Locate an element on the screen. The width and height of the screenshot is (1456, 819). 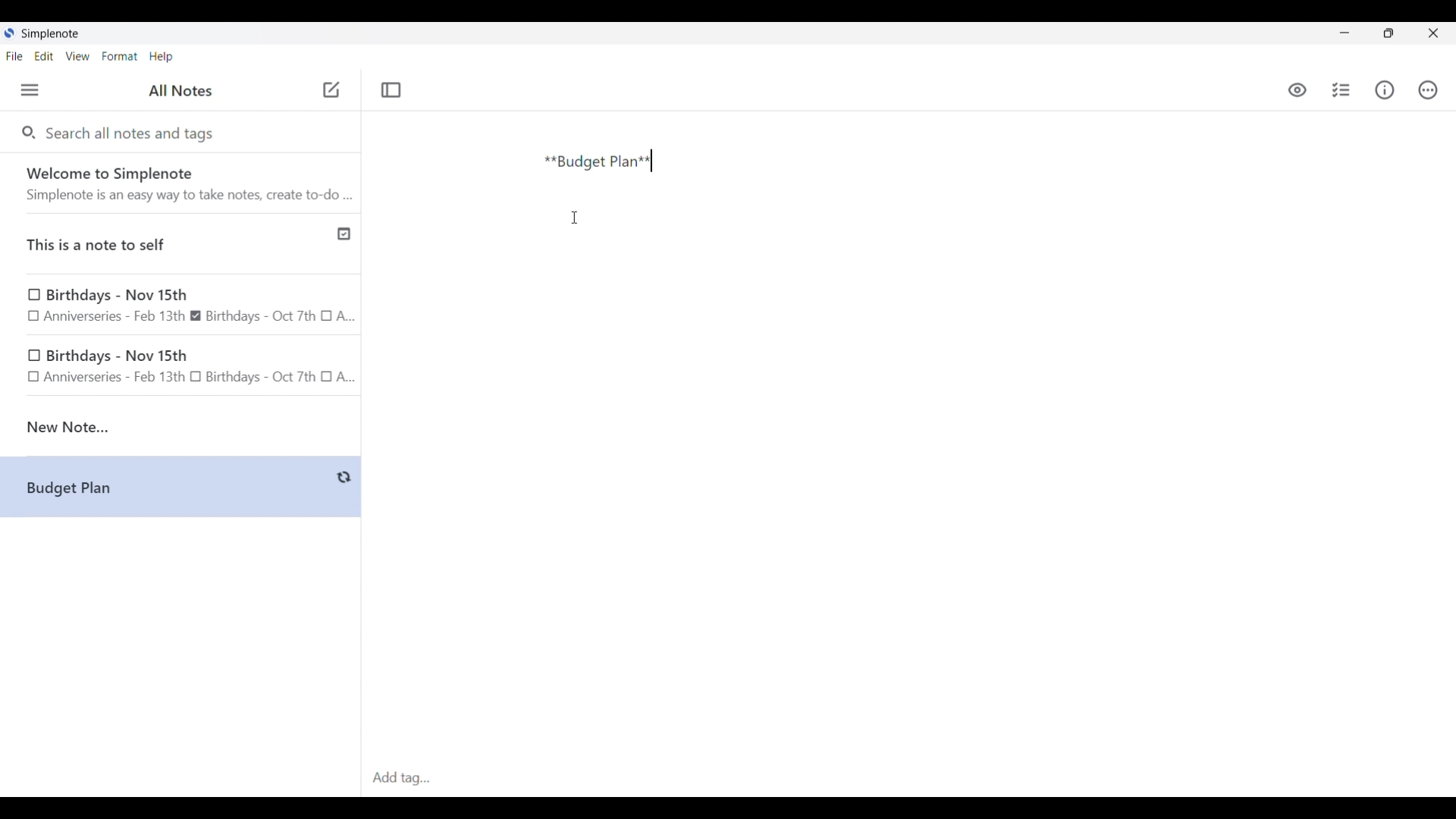
Format menu is located at coordinates (120, 56).